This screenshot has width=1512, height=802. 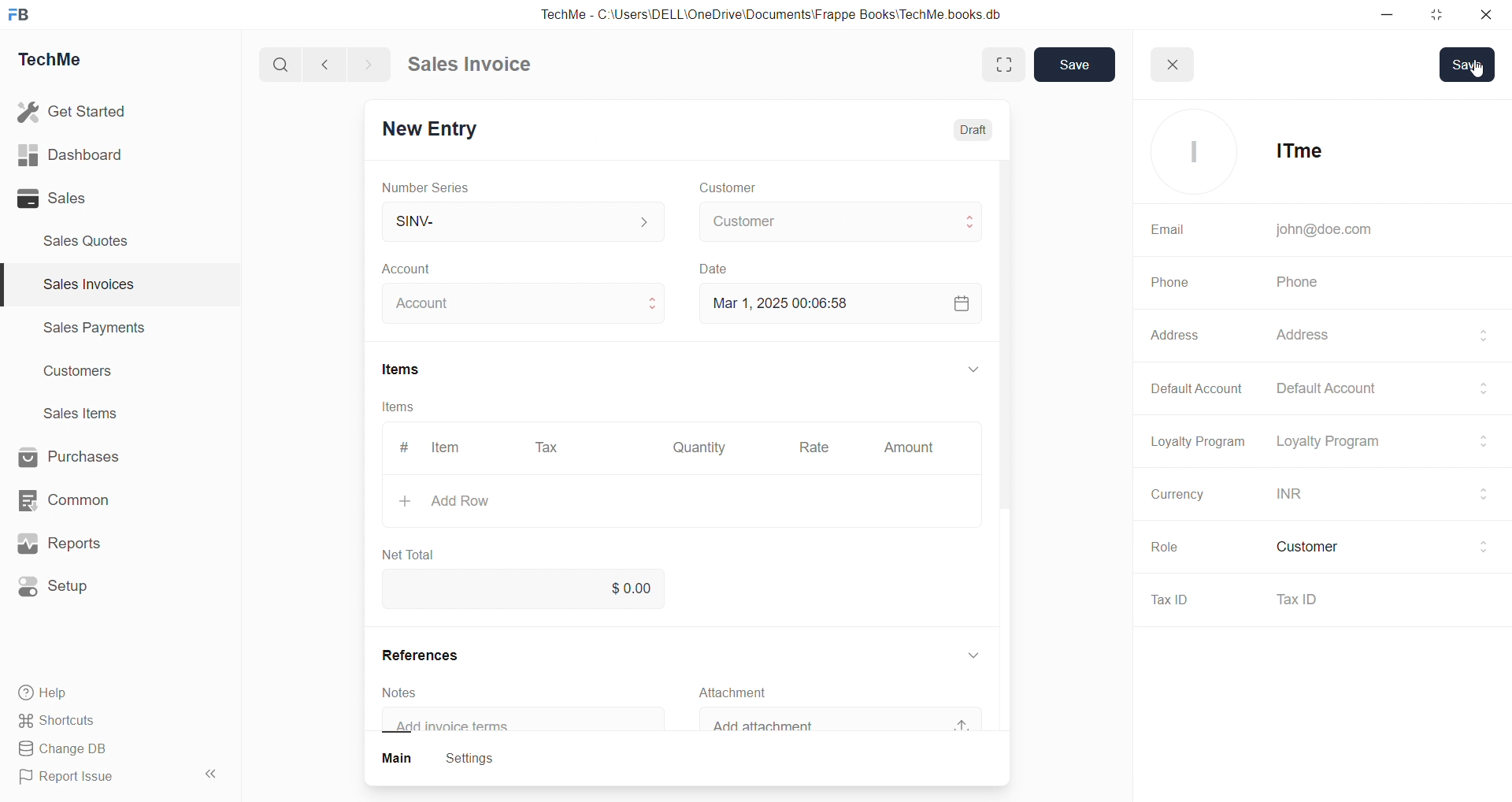 I want to click on  Report Issue, so click(x=73, y=779).